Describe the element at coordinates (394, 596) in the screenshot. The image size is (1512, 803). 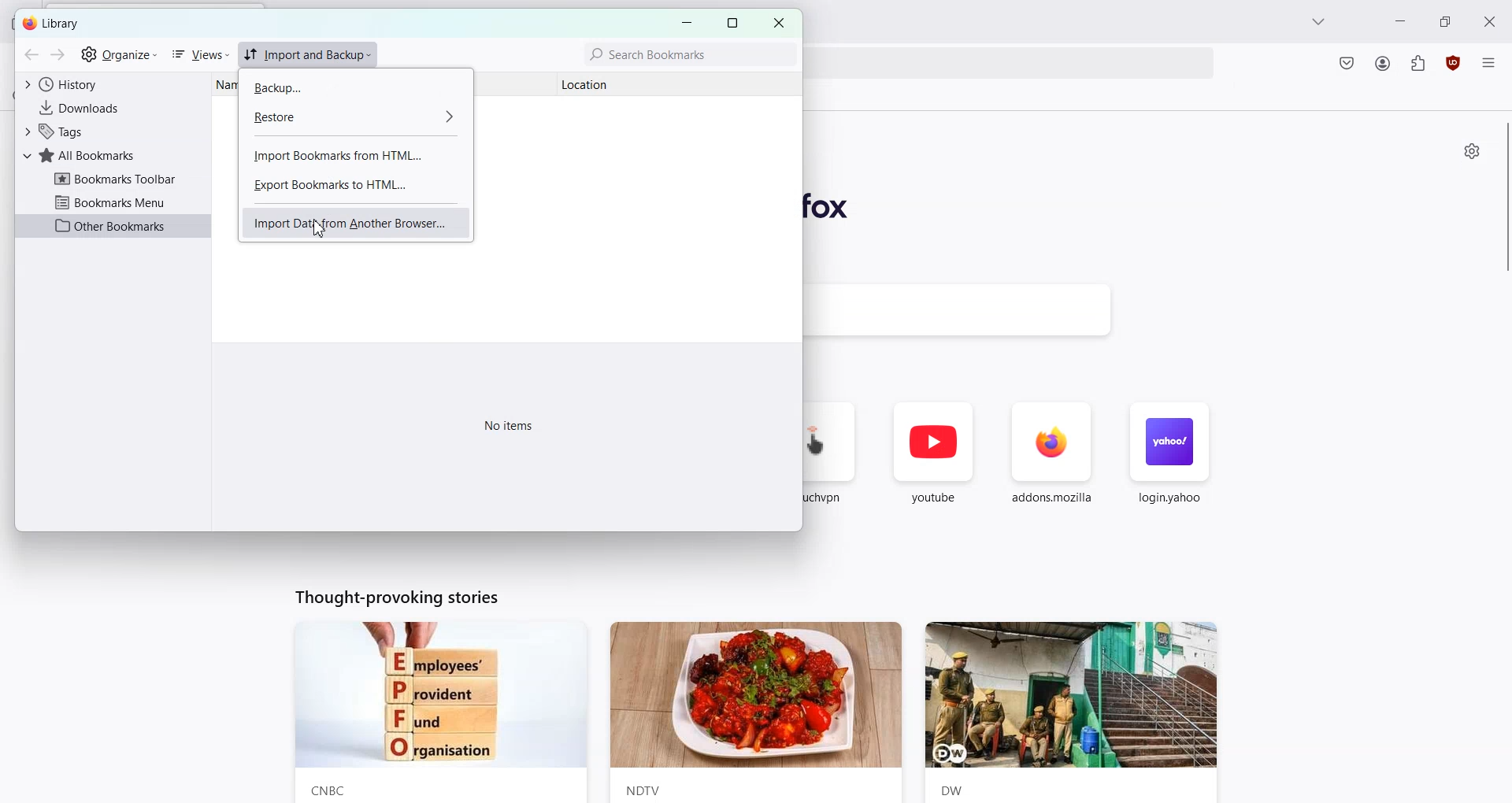
I see `Text` at that location.